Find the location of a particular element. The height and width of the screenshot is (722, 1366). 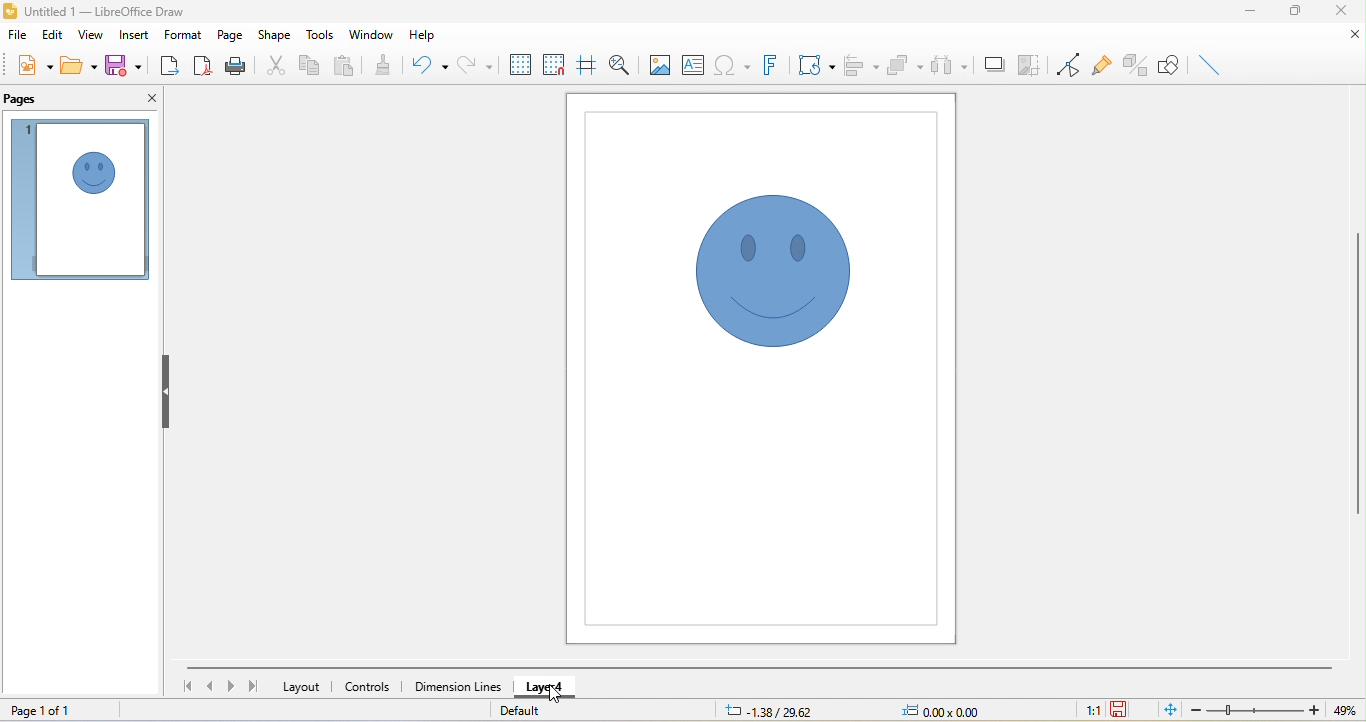

view is located at coordinates (88, 35).